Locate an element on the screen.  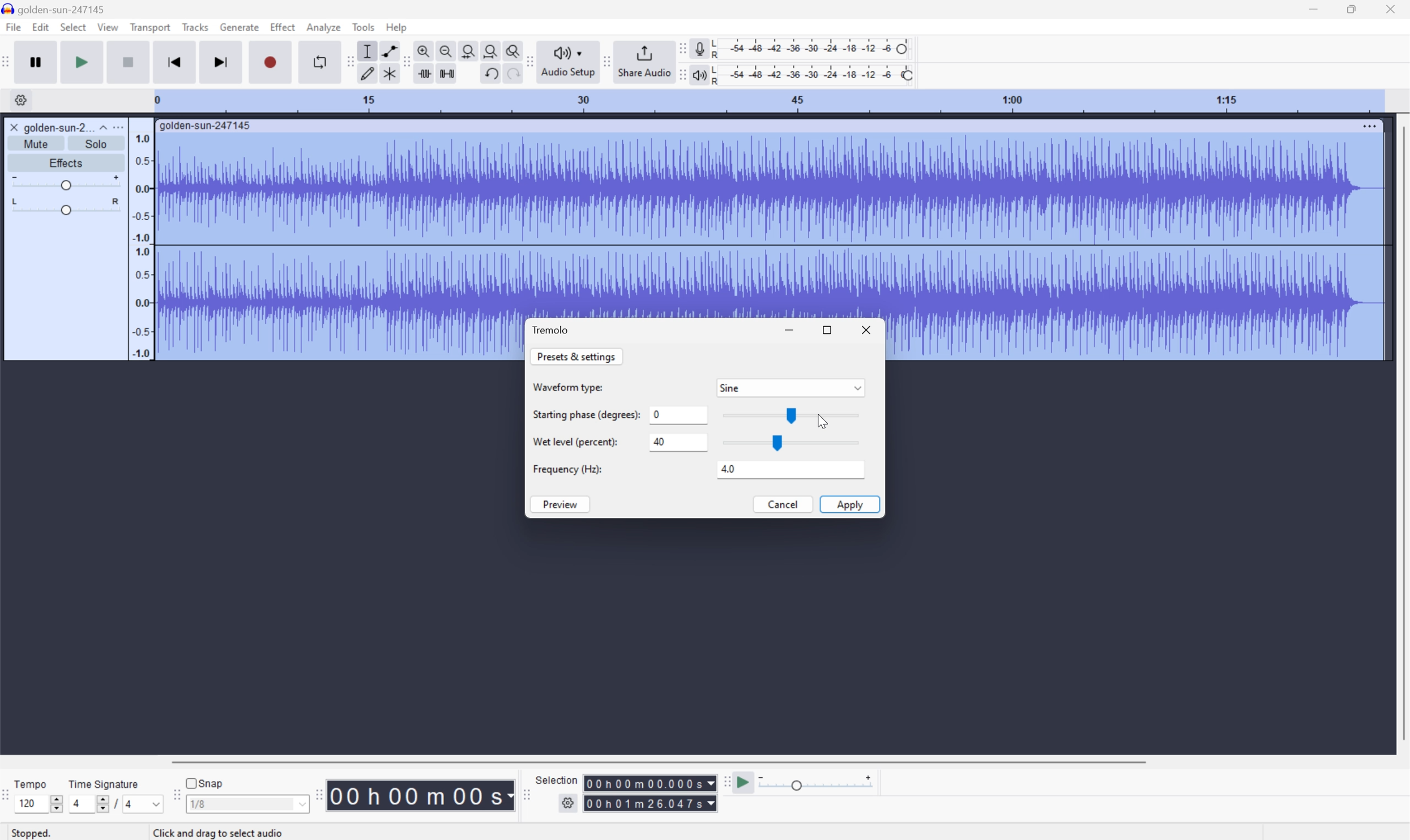
golden-sun-247145 is located at coordinates (57, 8).